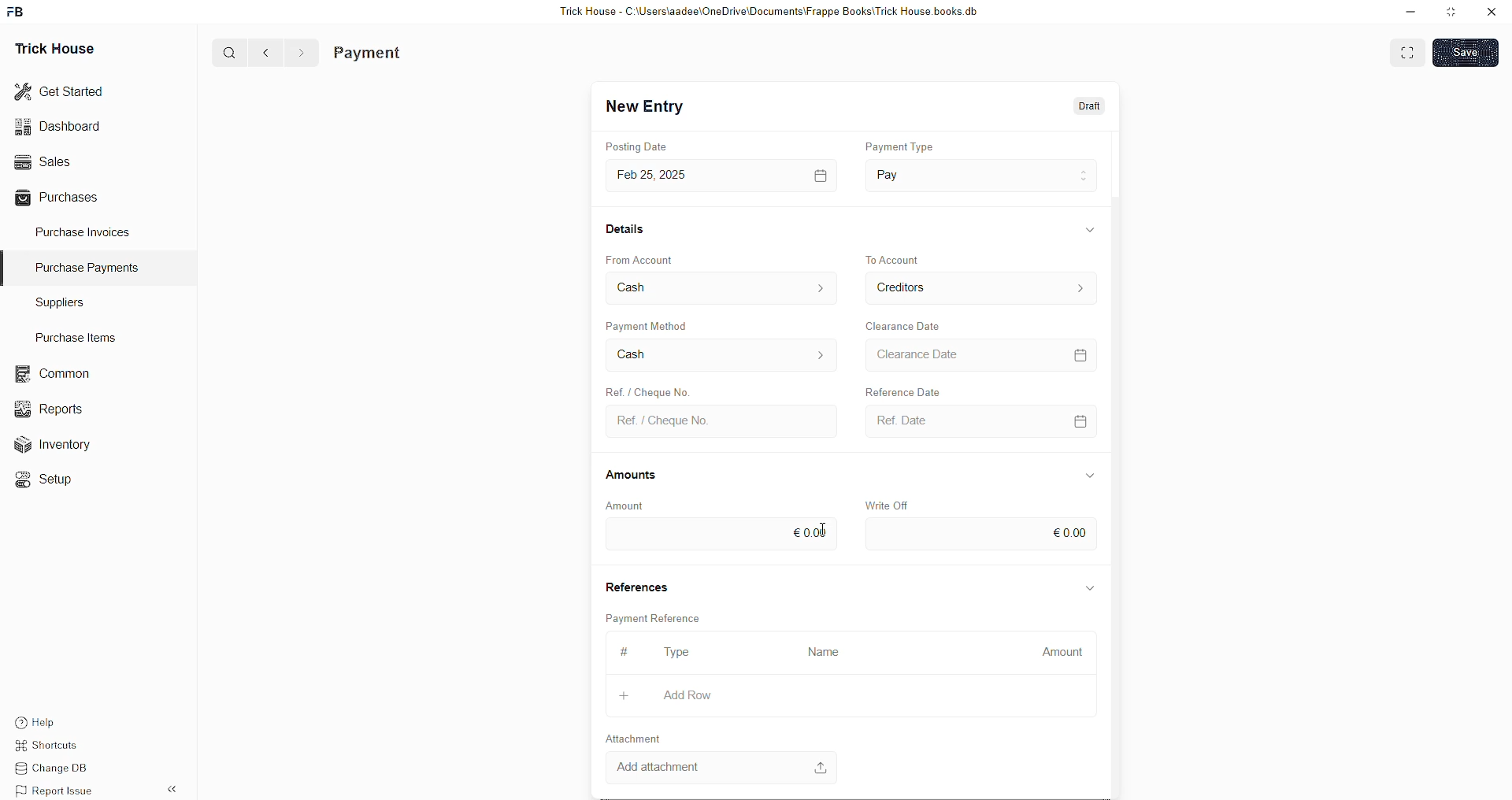  I want to click on > Clearance Date, so click(926, 354).